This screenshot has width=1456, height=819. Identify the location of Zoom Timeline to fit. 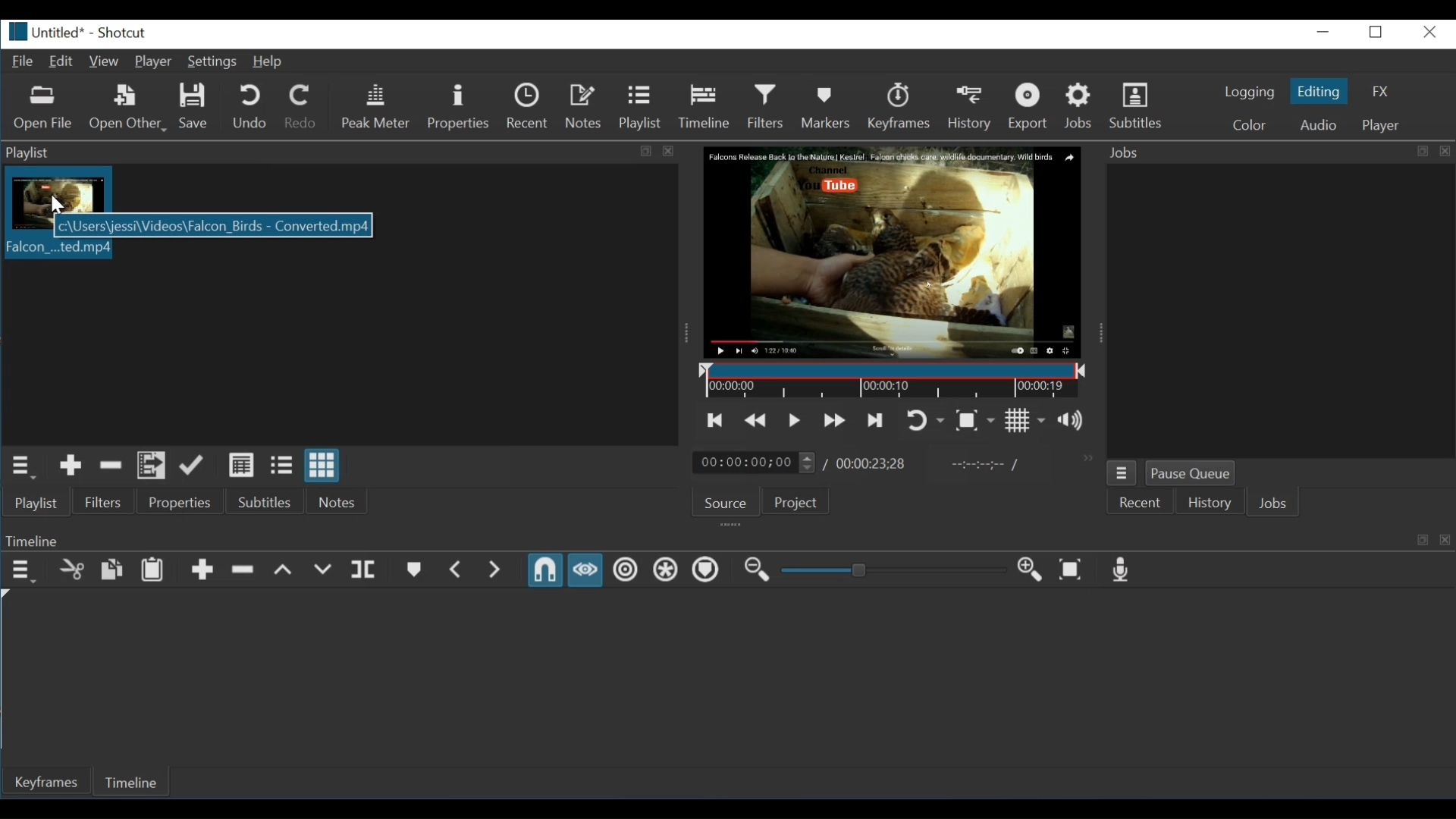
(1071, 569).